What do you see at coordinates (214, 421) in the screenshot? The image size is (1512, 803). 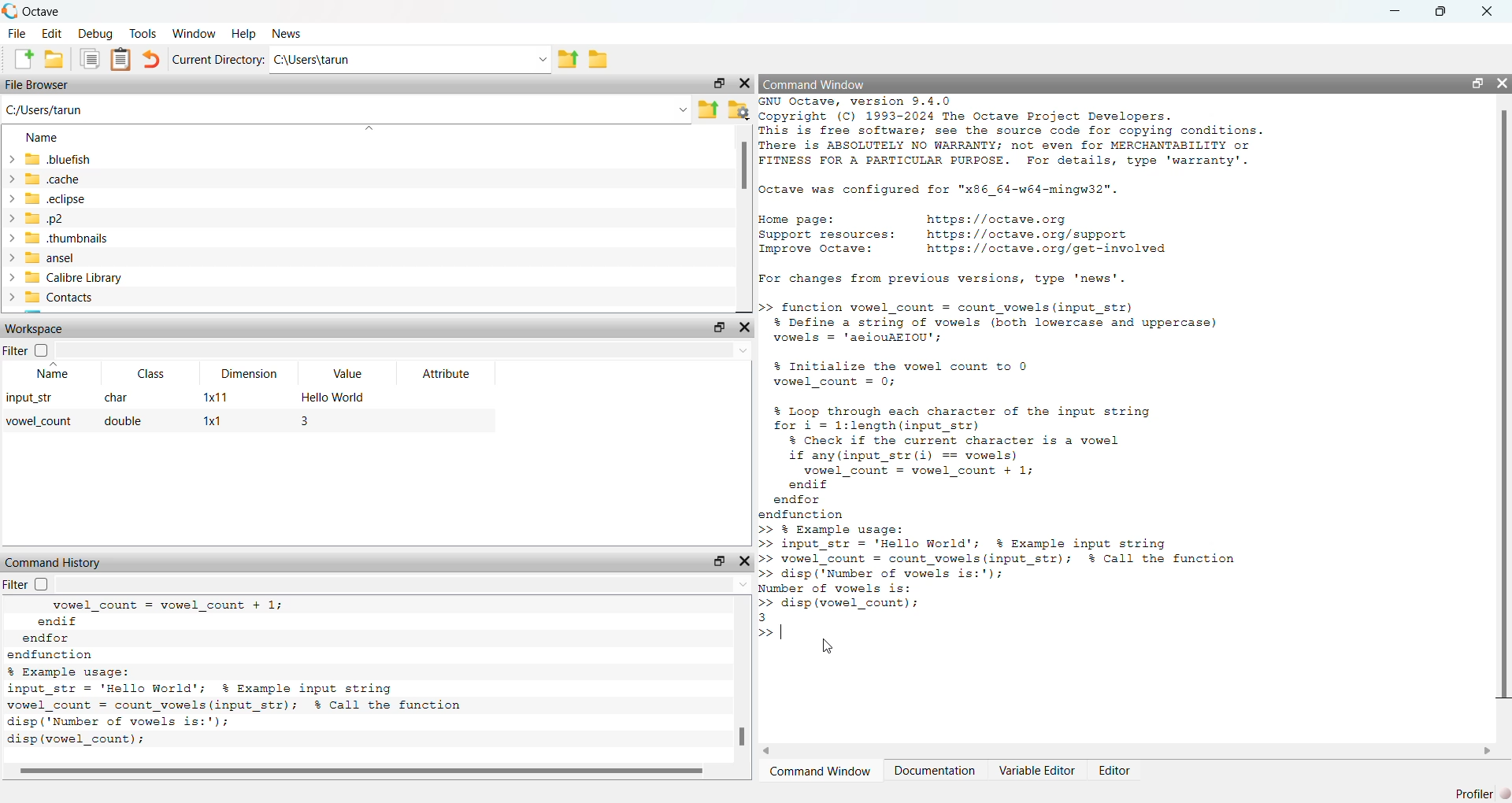 I see `1x1` at bounding box center [214, 421].